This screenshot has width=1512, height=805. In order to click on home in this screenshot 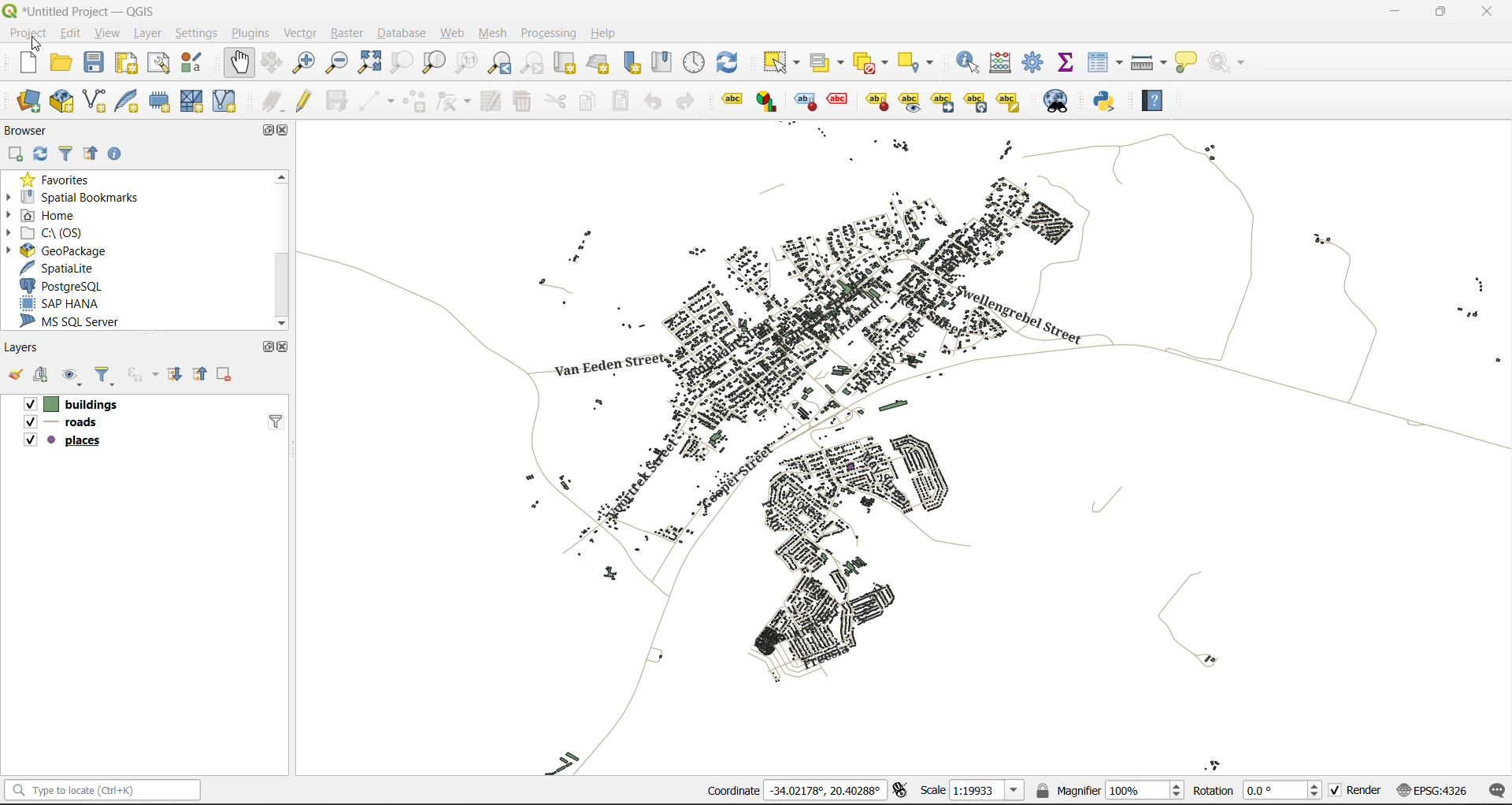, I will do `click(46, 214)`.